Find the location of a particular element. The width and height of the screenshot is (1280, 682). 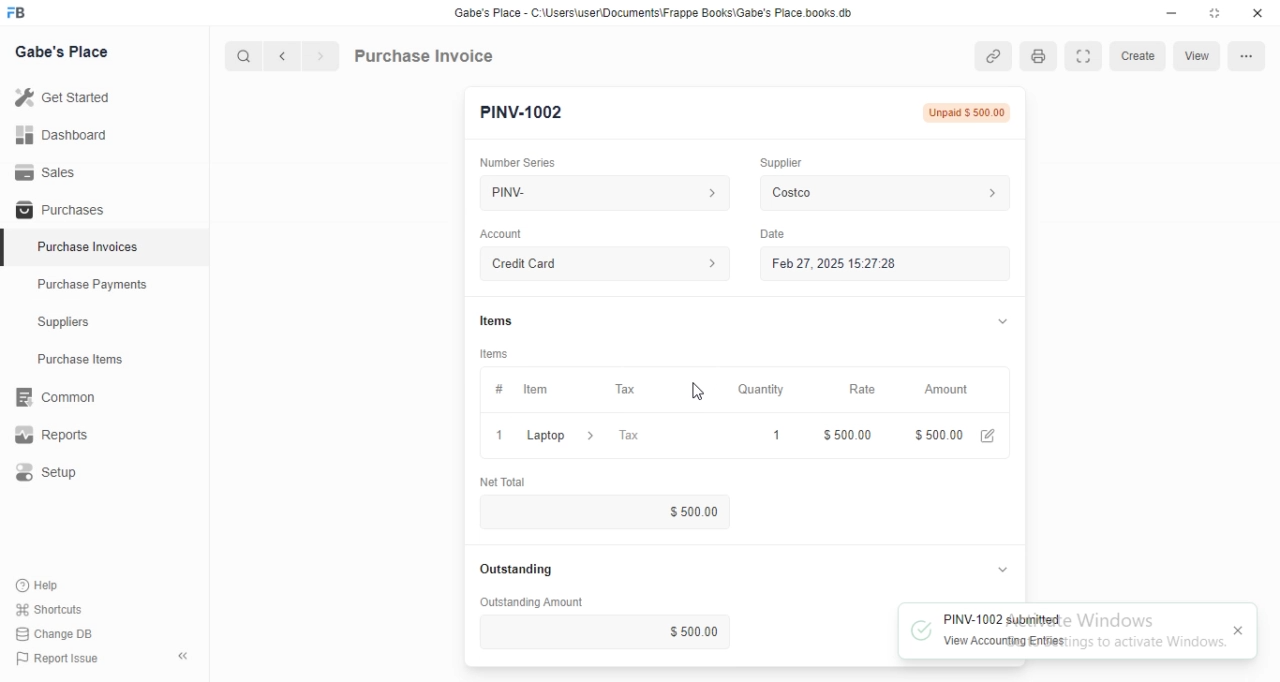

View linked entries is located at coordinates (994, 56).